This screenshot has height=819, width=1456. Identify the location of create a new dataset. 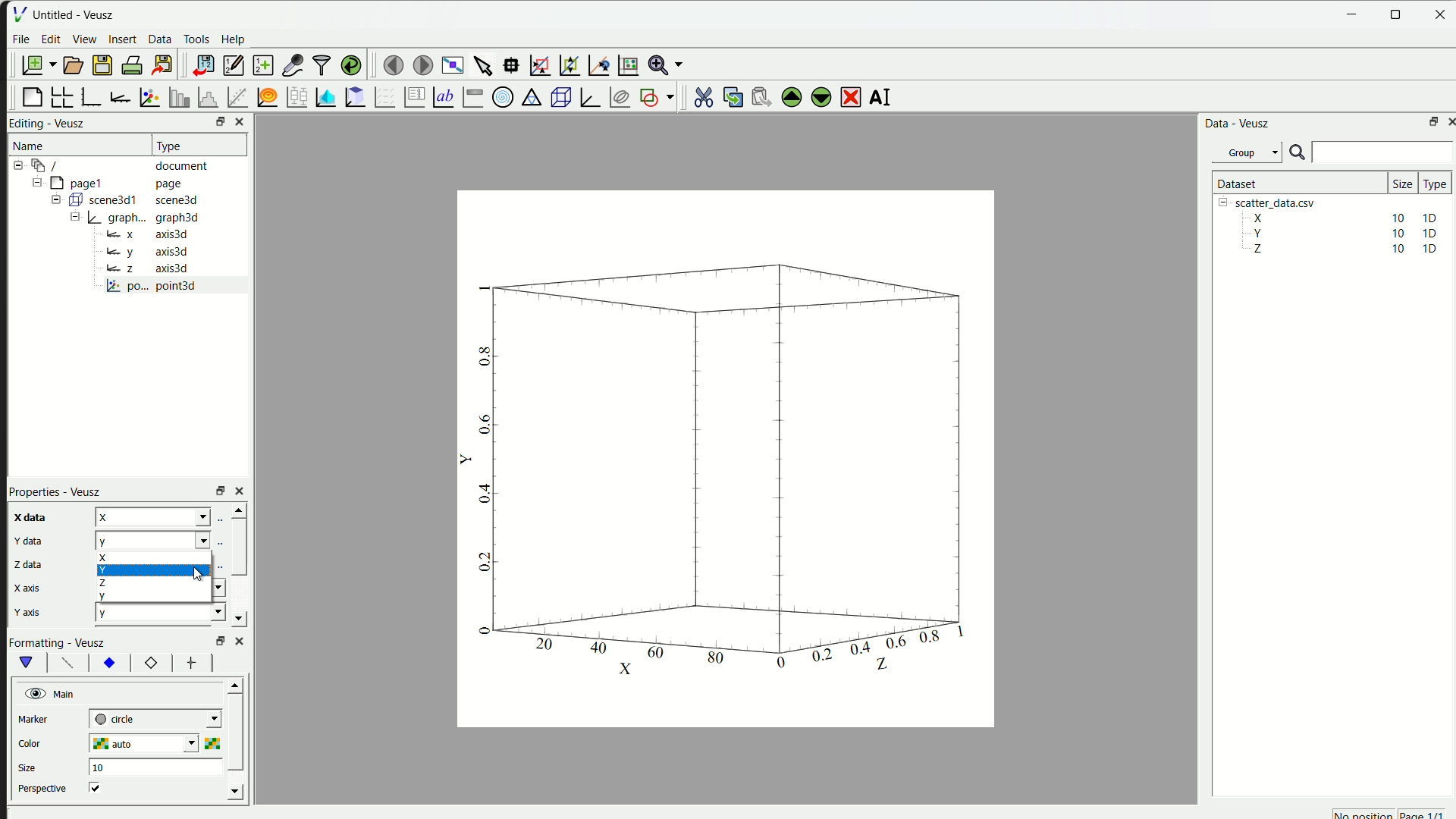
(262, 64).